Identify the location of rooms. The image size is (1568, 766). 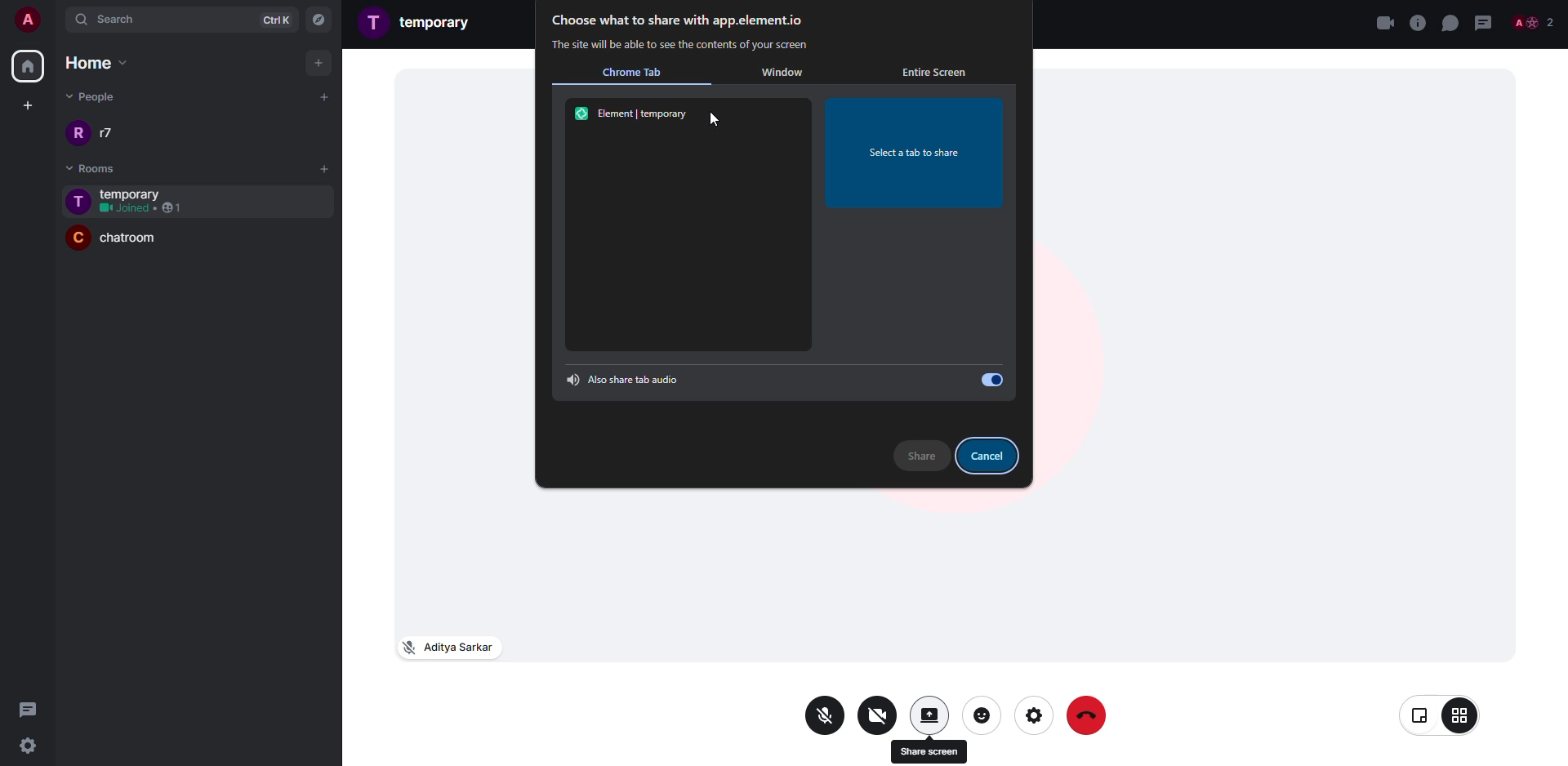
(82, 168).